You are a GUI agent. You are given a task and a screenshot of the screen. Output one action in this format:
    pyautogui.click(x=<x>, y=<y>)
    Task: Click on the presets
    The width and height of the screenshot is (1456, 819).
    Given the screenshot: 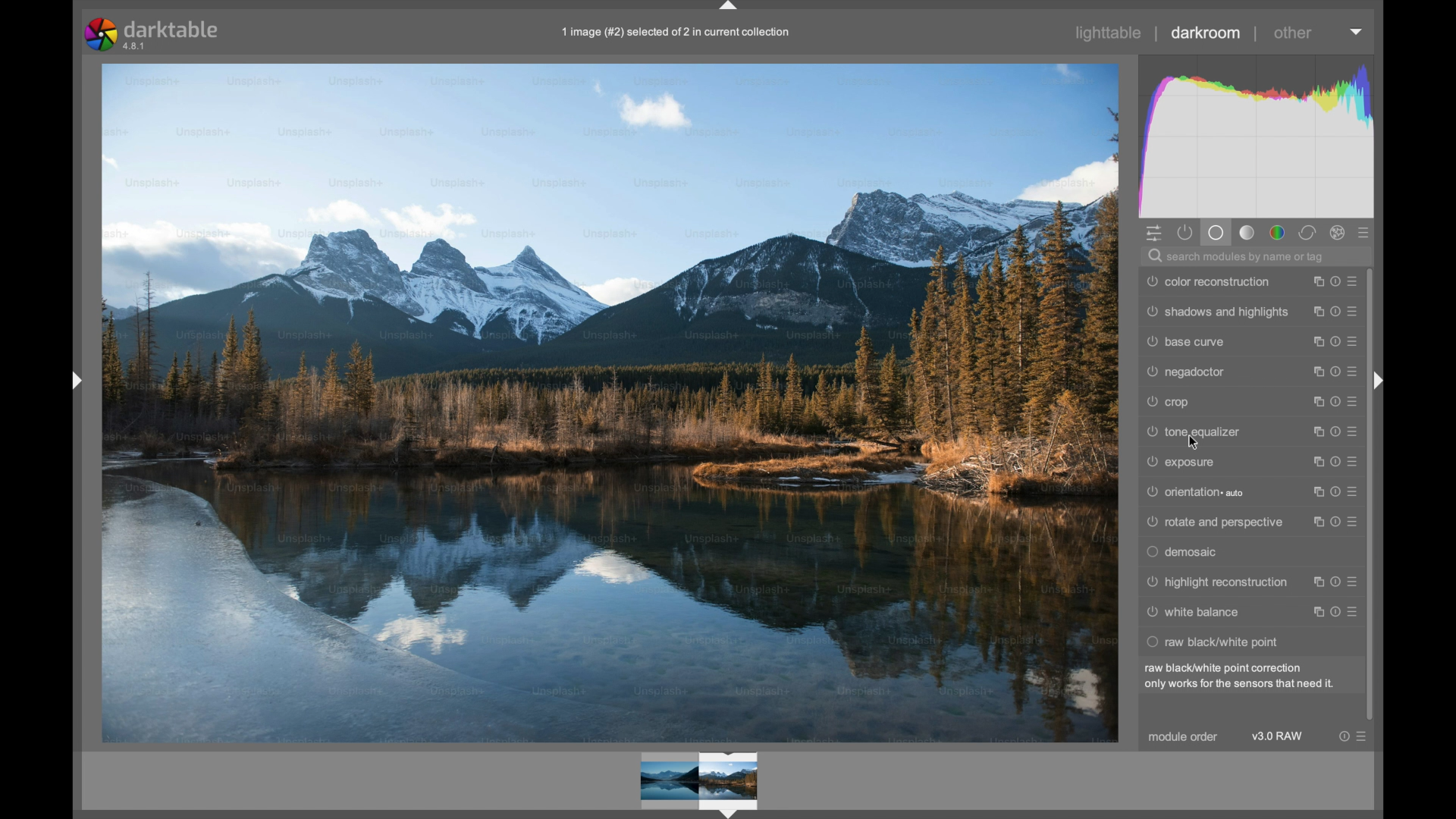 What is the action you would take?
    pyautogui.click(x=1357, y=341)
    